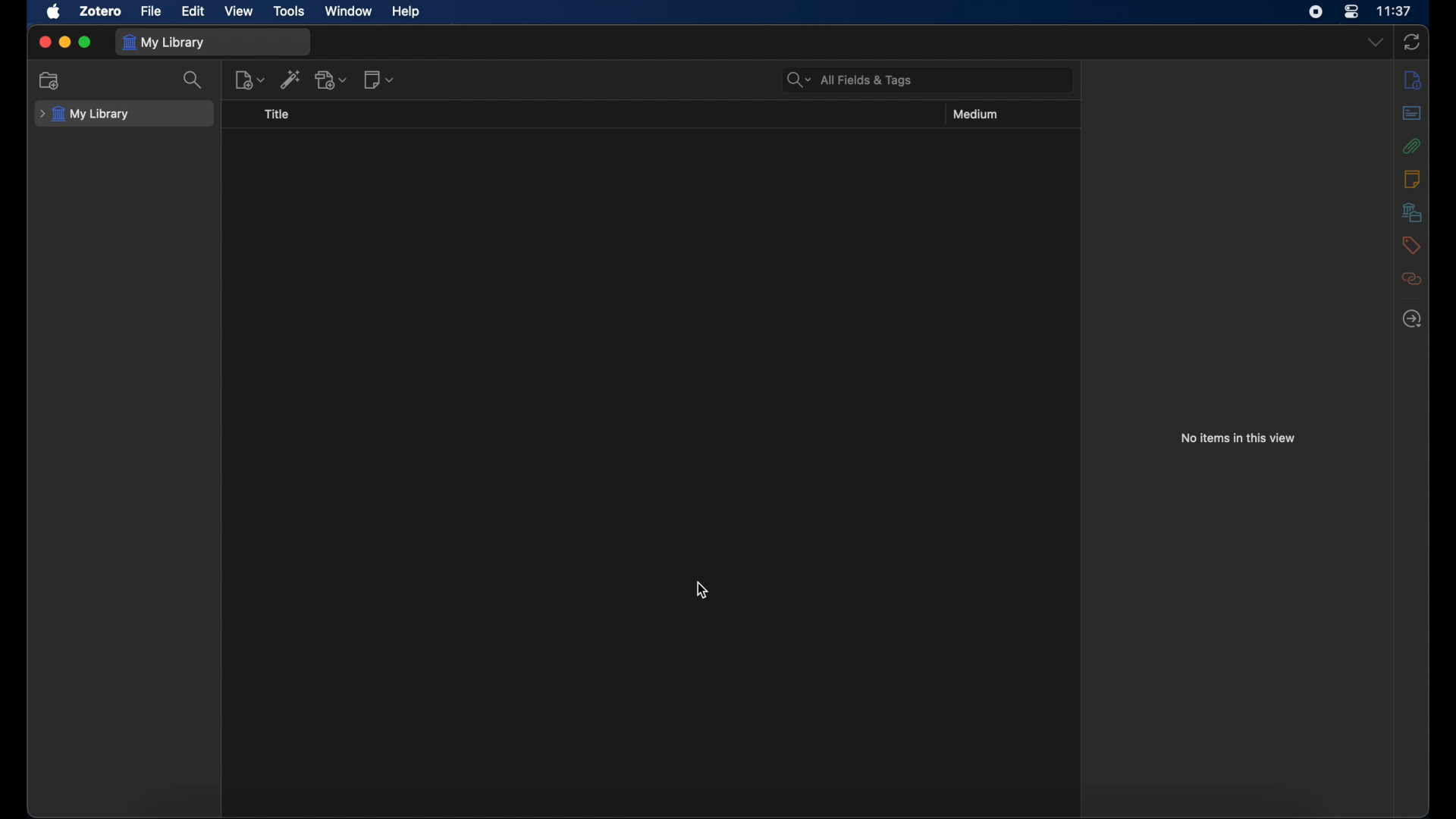 This screenshot has height=819, width=1456. Describe the element at coordinates (1412, 146) in the screenshot. I see `attachments` at that location.